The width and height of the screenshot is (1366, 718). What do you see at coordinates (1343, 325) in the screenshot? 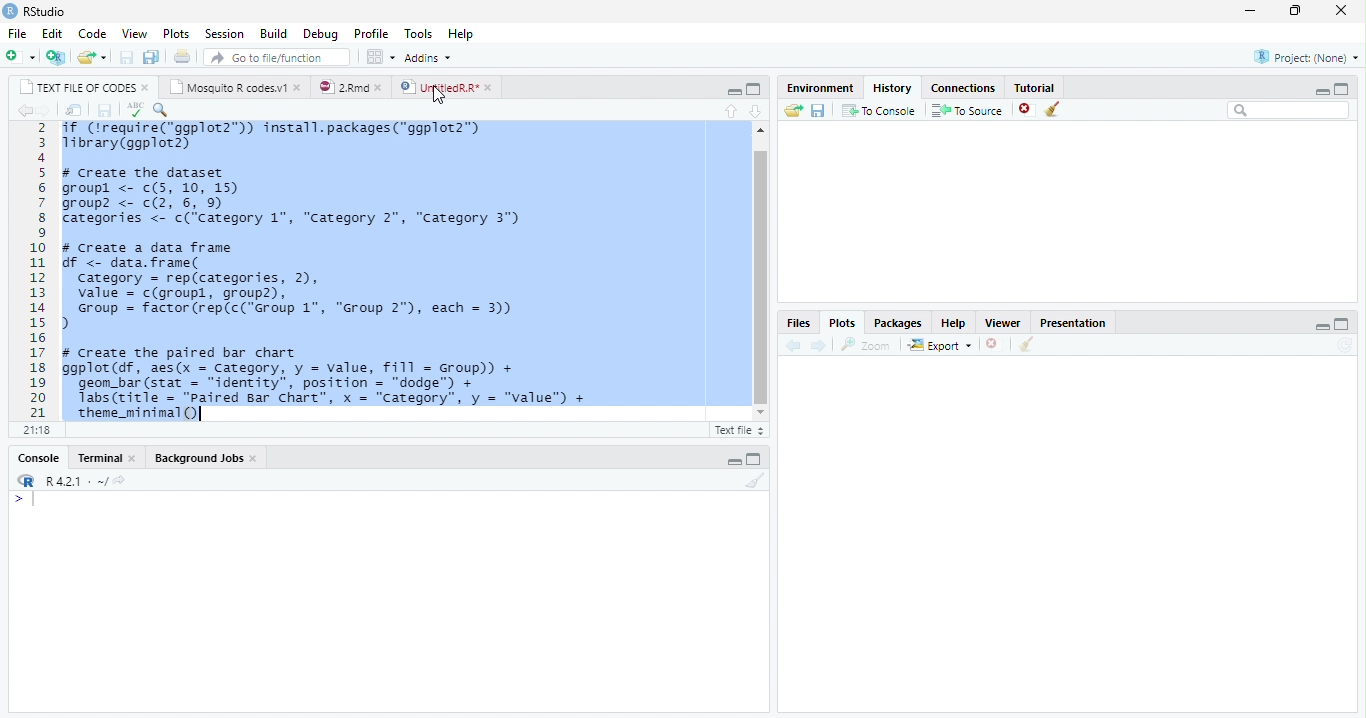
I see `maximize` at bounding box center [1343, 325].